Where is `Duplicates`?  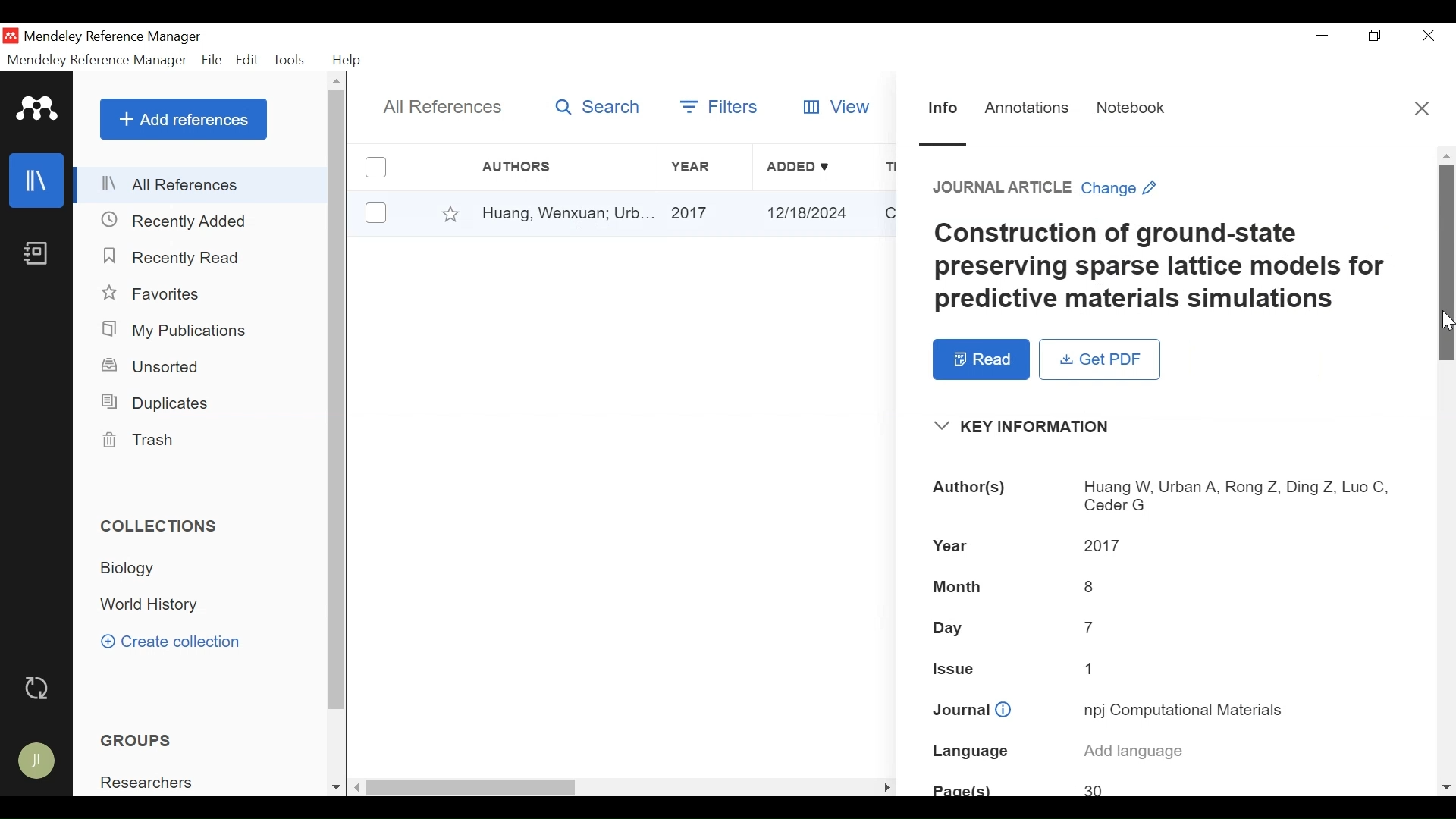 Duplicates is located at coordinates (158, 405).